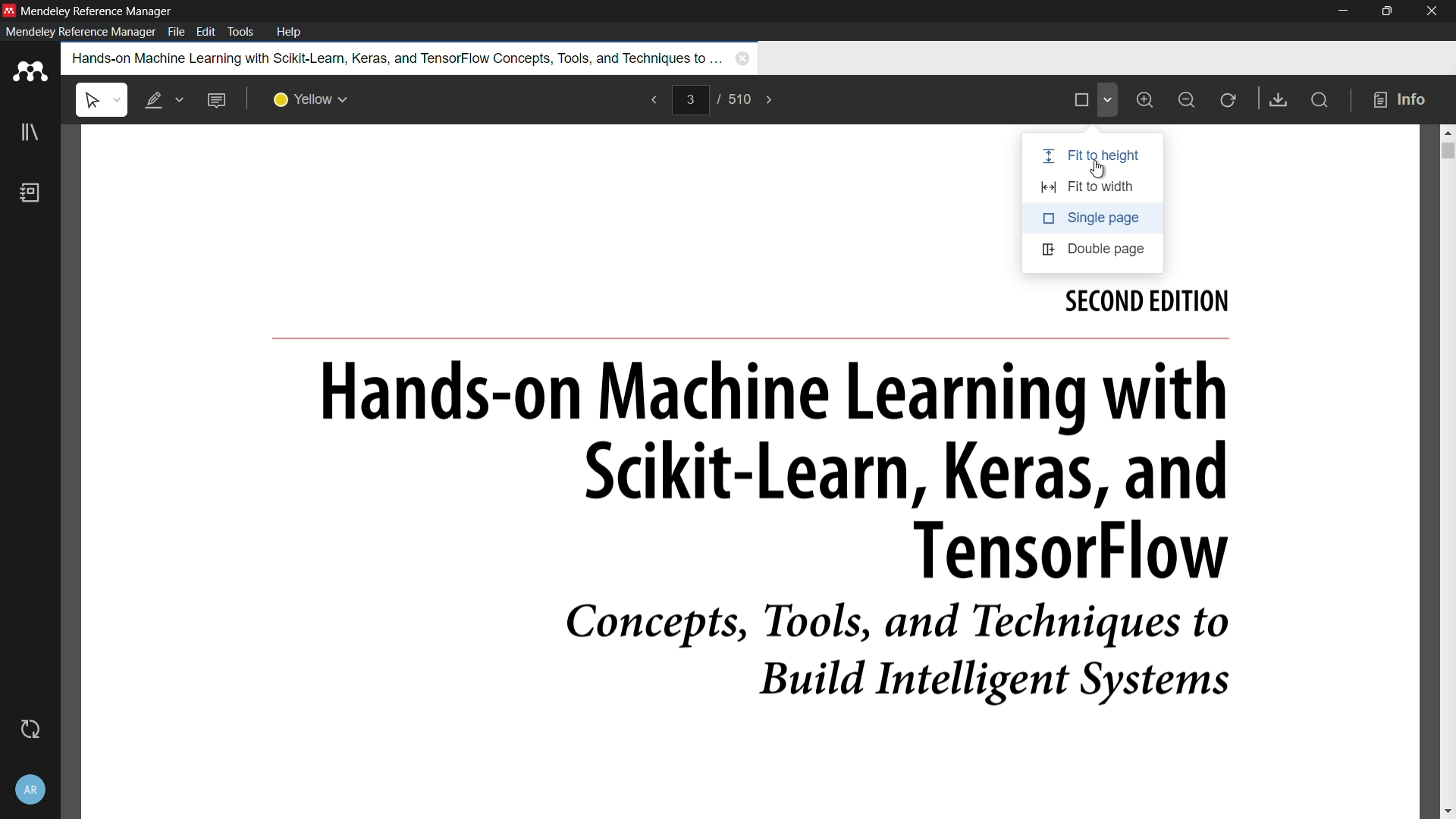  I want to click on zoom out, so click(1186, 101).